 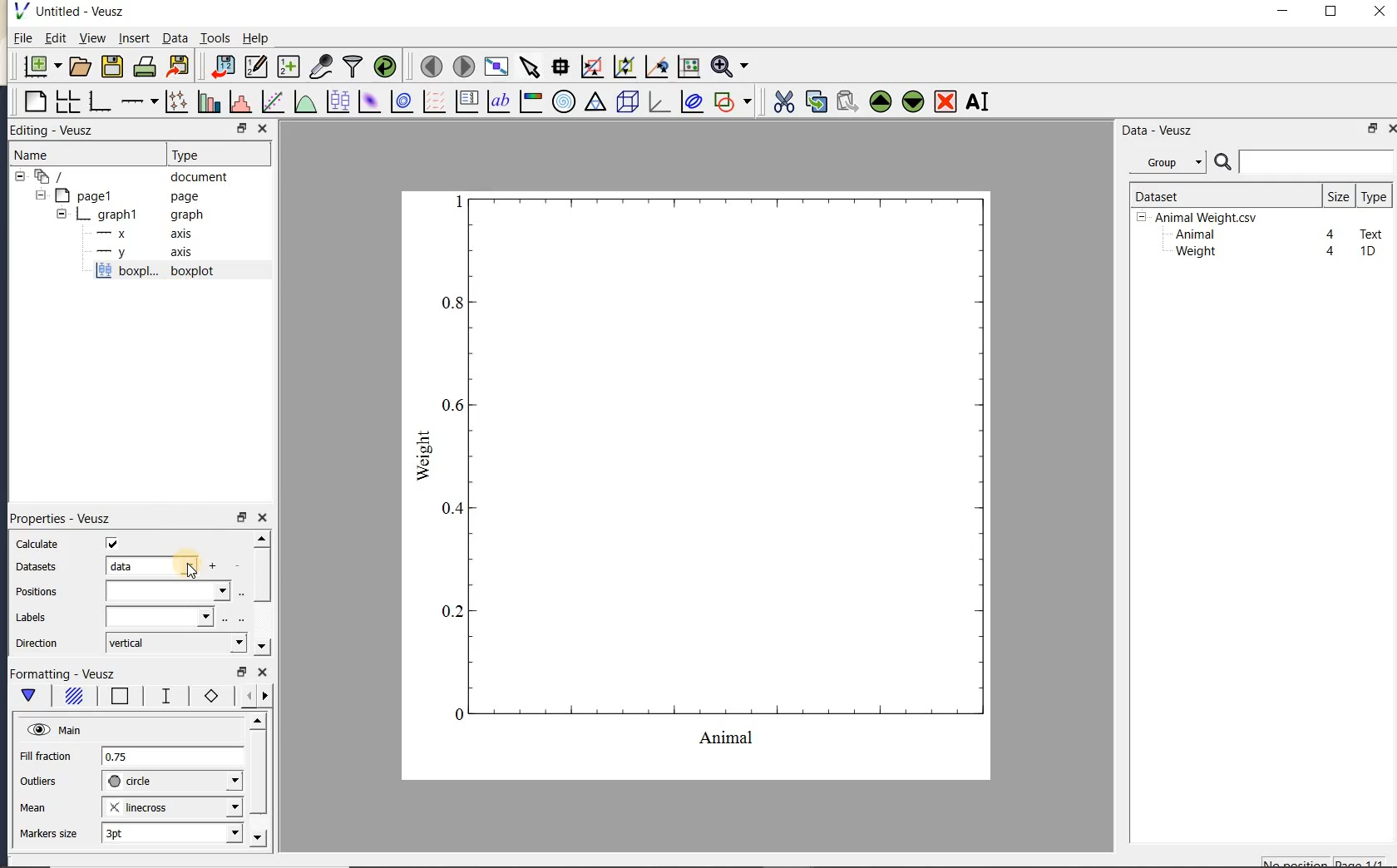 What do you see at coordinates (1380, 12) in the screenshot?
I see `close` at bounding box center [1380, 12].